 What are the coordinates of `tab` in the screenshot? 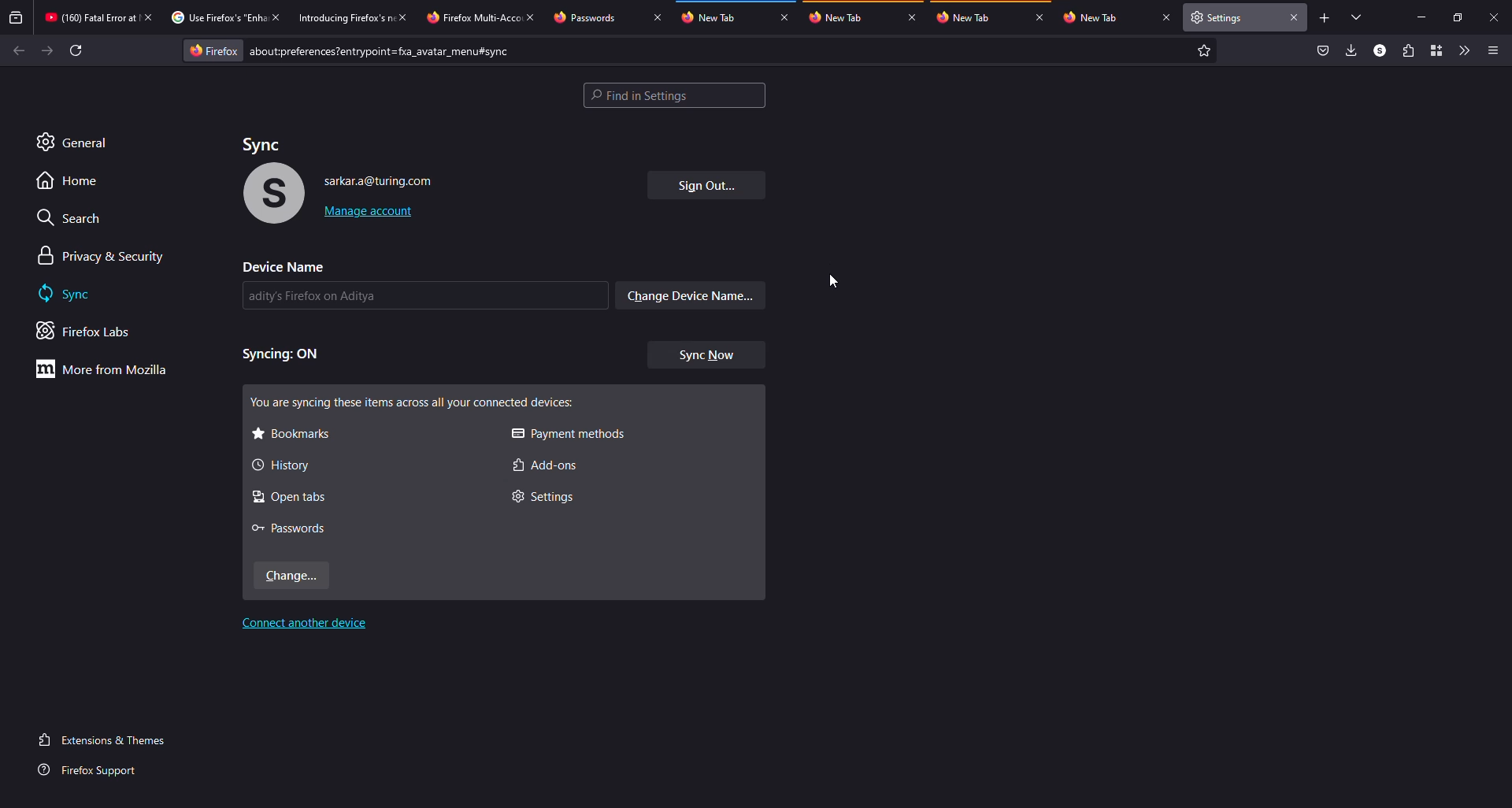 It's located at (345, 17).